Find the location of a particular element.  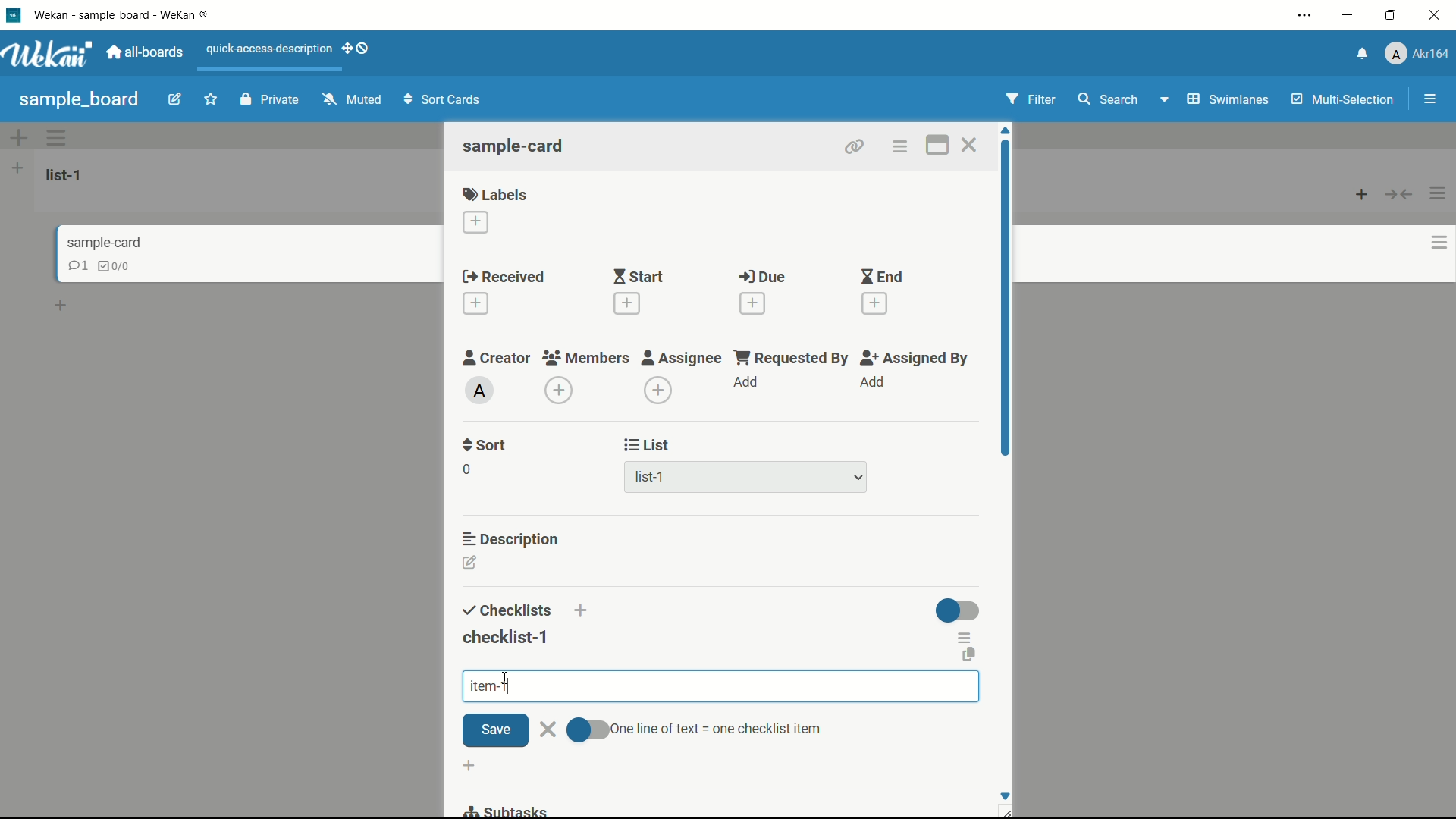

 Multi-Selection is located at coordinates (1345, 101).